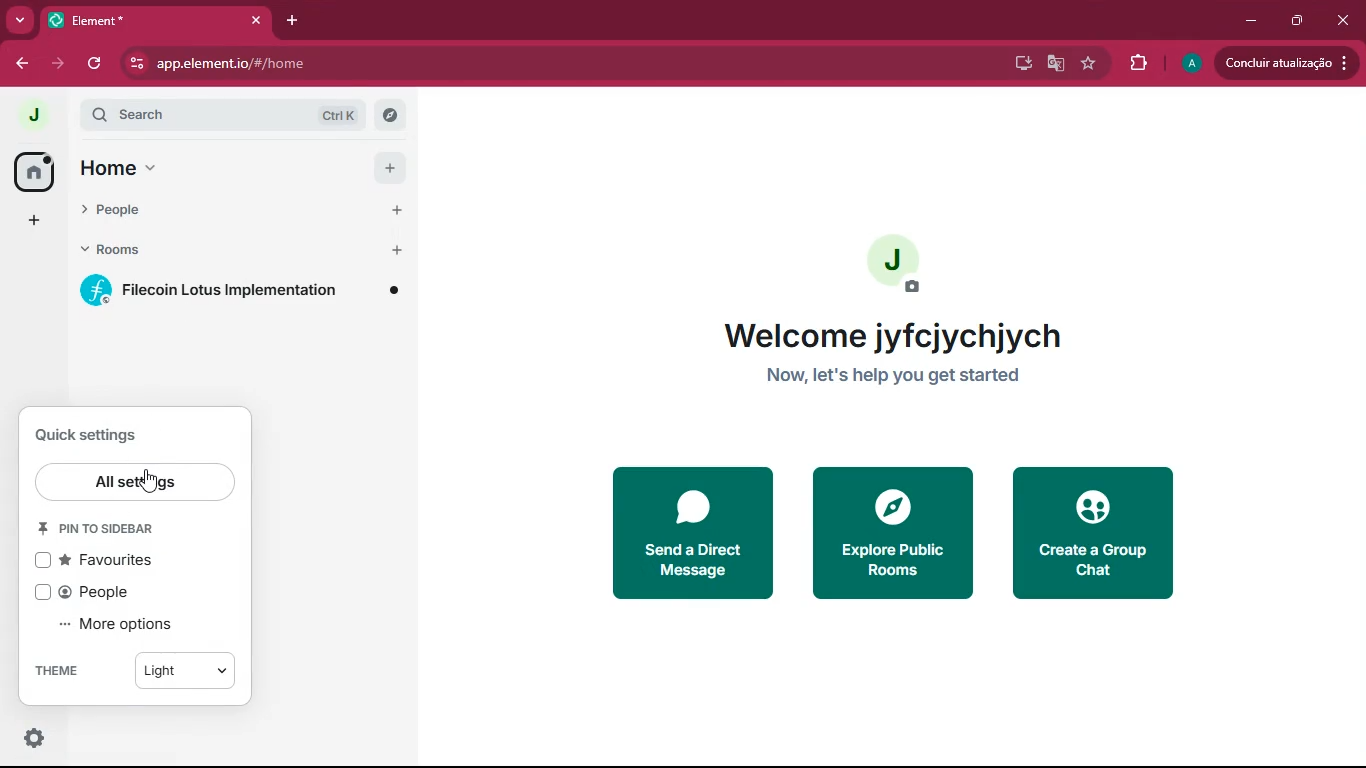  What do you see at coordinates (225, 117) in the screenshot?
I see `search` at bounding box center [225, 117].